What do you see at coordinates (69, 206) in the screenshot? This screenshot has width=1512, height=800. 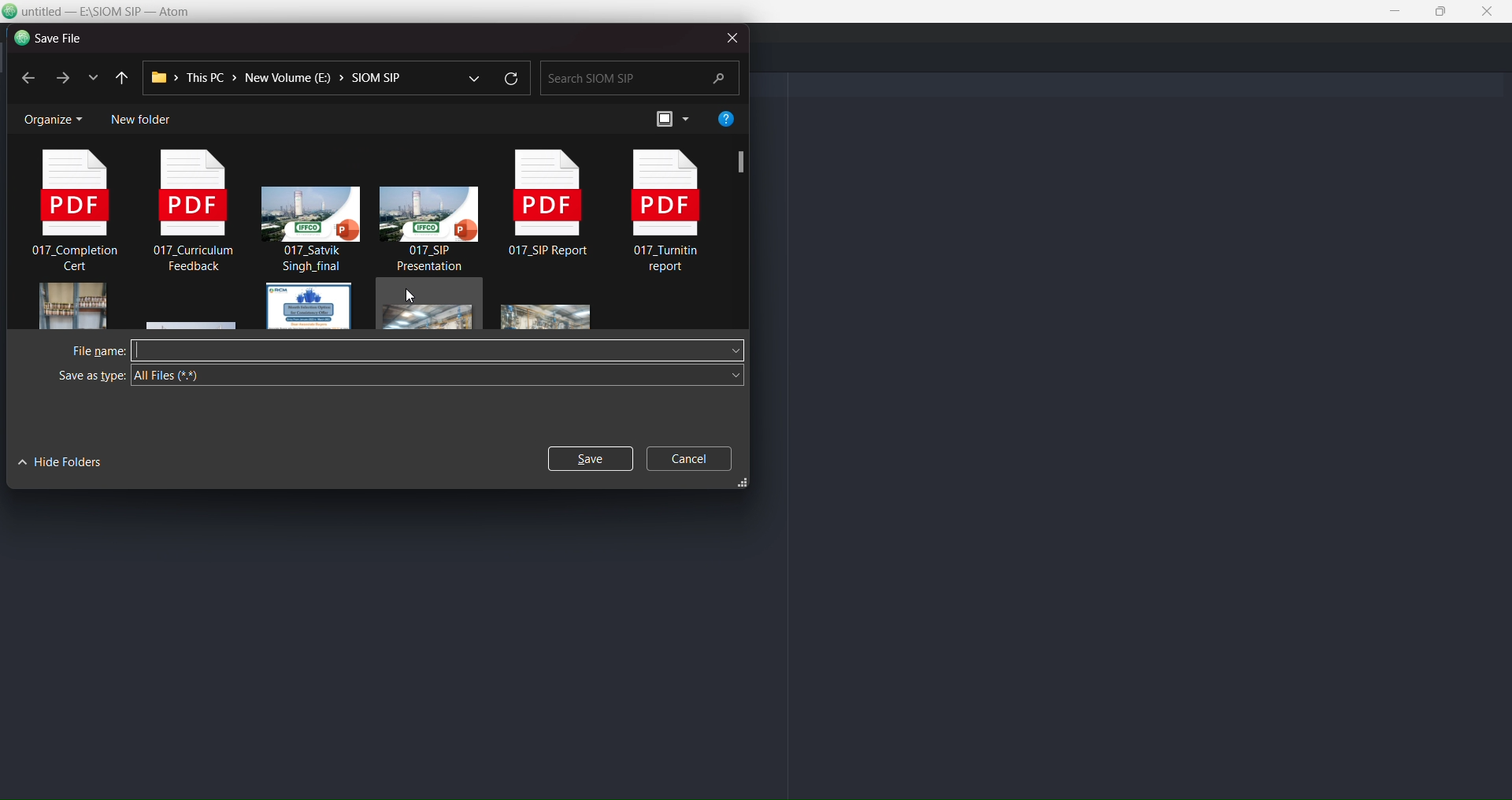 I see `pdf file` at bounding box center [69, 206].